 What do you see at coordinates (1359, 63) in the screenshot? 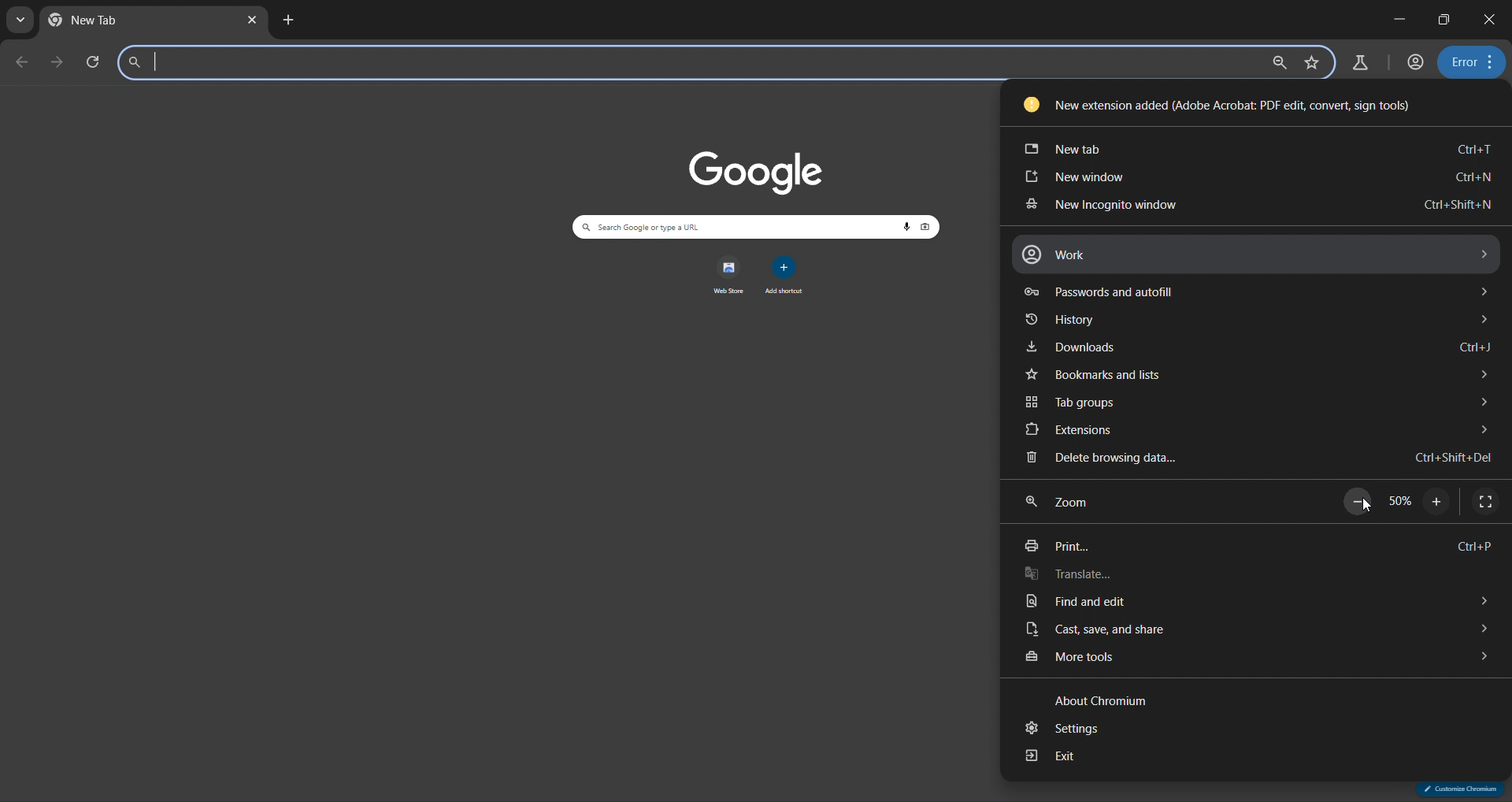
I see `search labs` at bounding box center [1359, 63].